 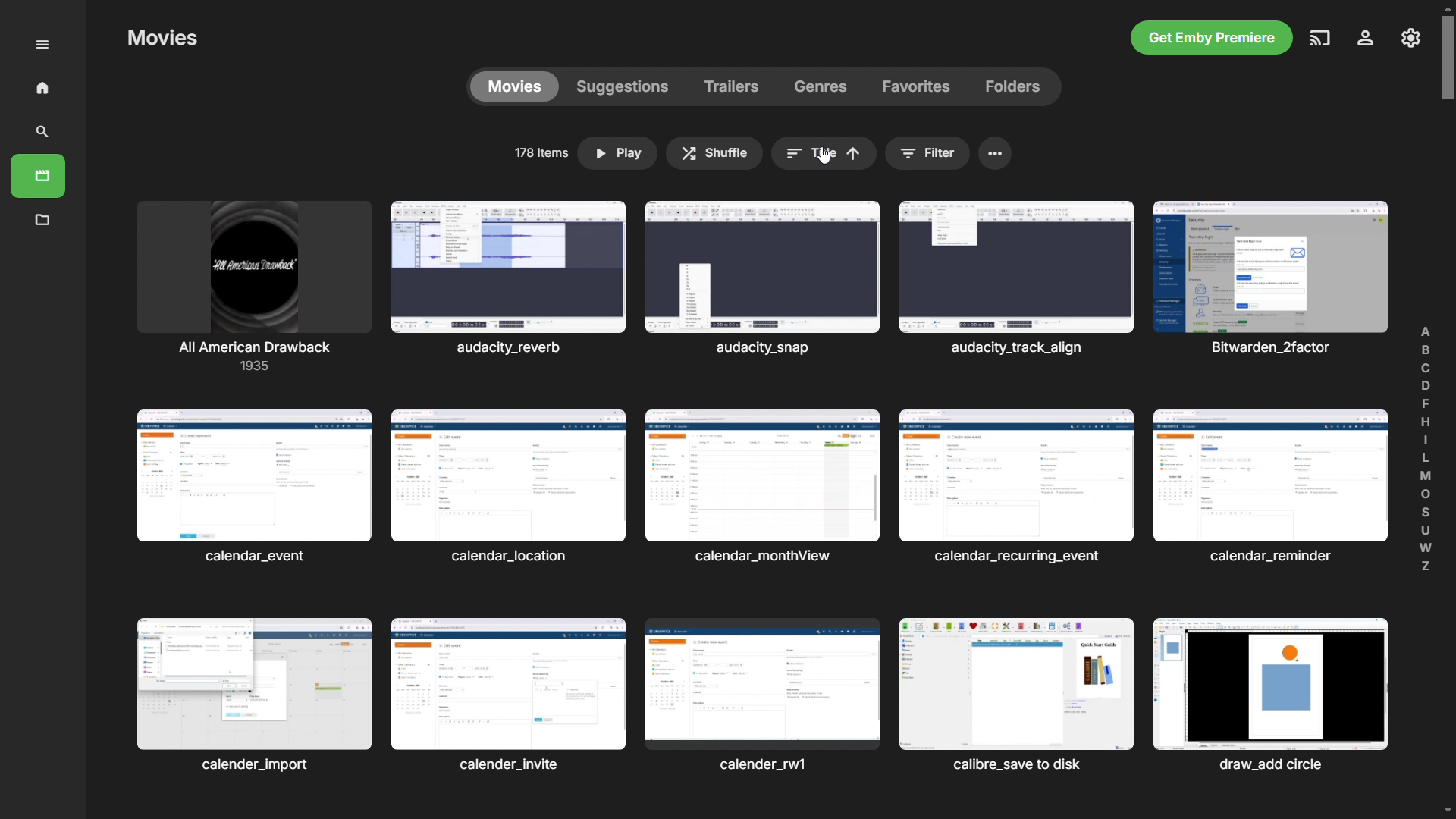 What do you see at coordinates (1212, 37) in the screenshot?
I see `get emby premiere` at bounding box center [1212, 37].